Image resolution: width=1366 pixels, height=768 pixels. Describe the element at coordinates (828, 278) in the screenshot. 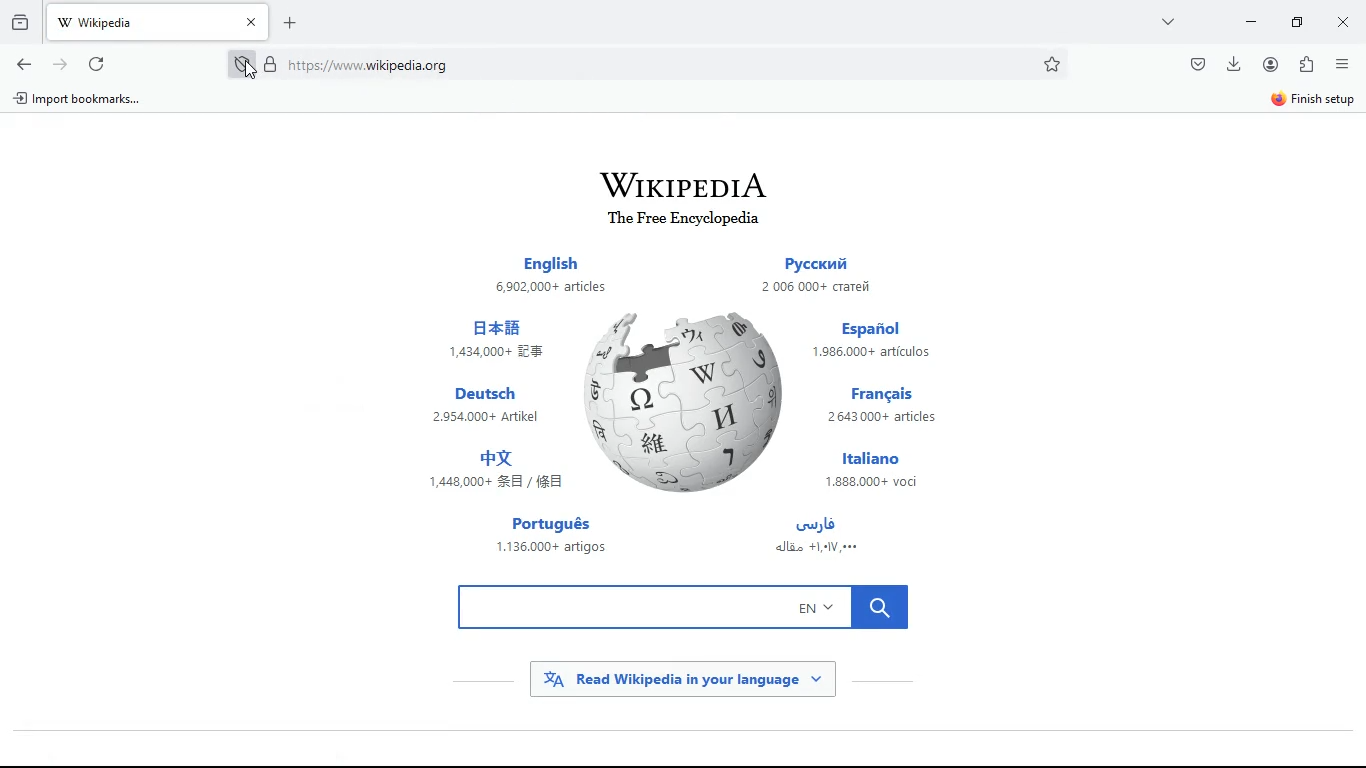

I see `russian` at that location.